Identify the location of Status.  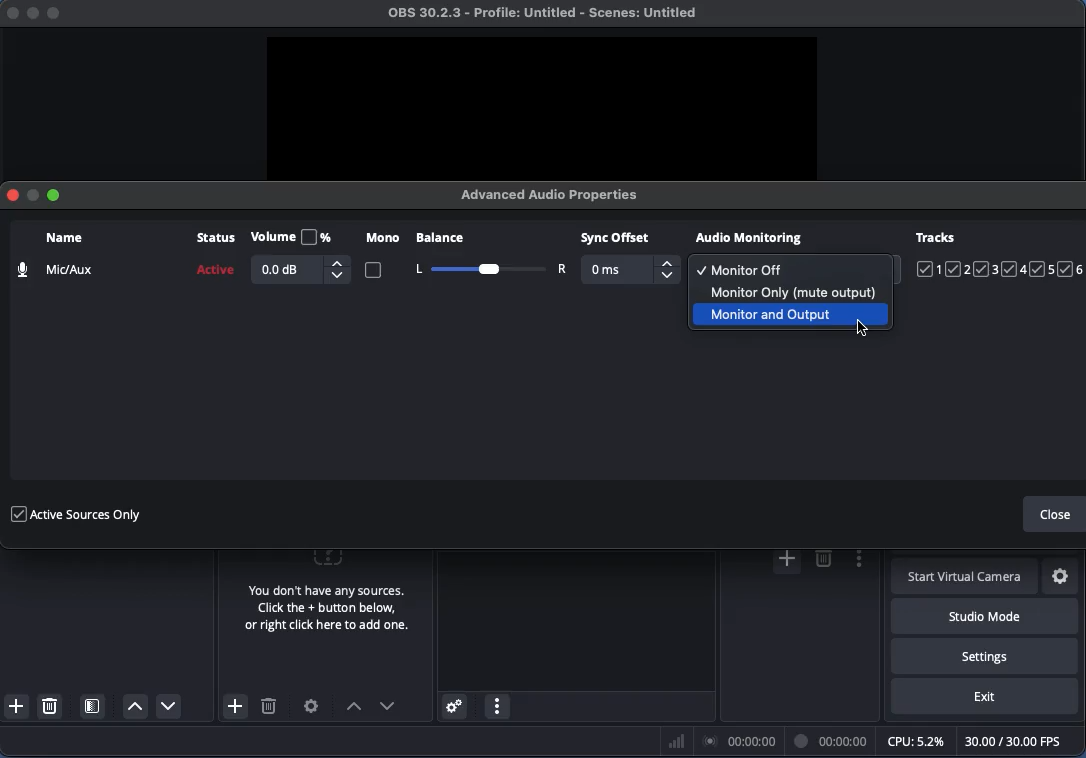
(213, 259).